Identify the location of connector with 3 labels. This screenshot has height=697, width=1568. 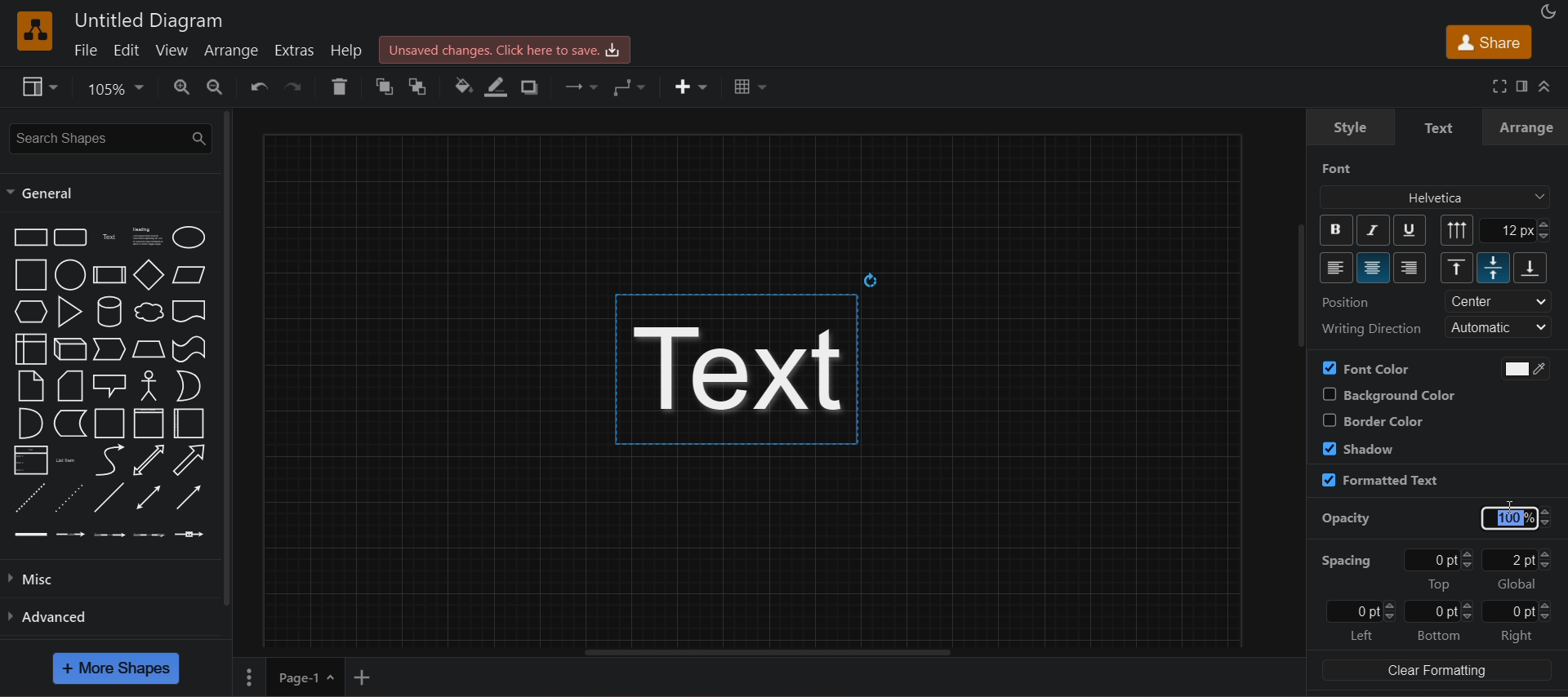
(150, 535).